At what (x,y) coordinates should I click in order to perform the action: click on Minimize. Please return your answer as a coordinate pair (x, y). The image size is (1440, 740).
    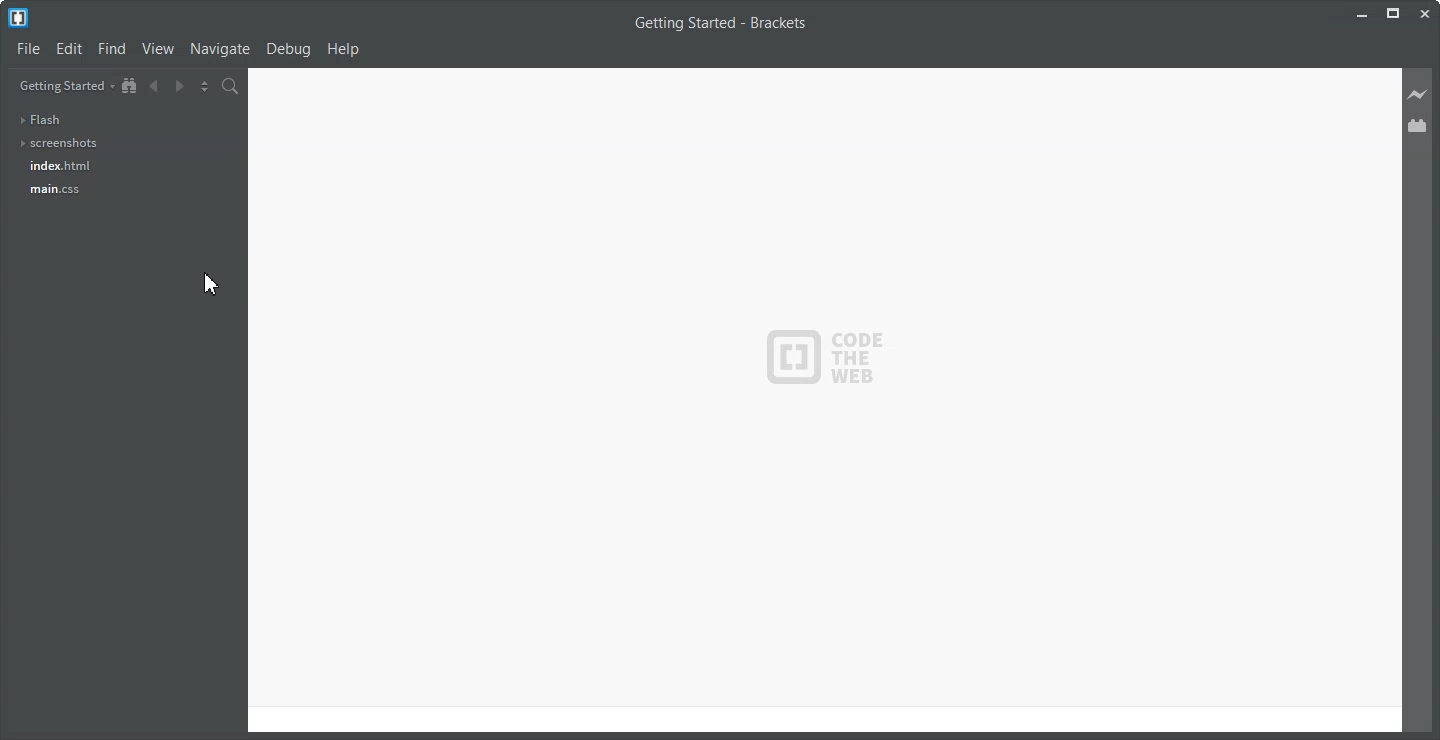
    Looking at the image, I should click on (1360, 14).